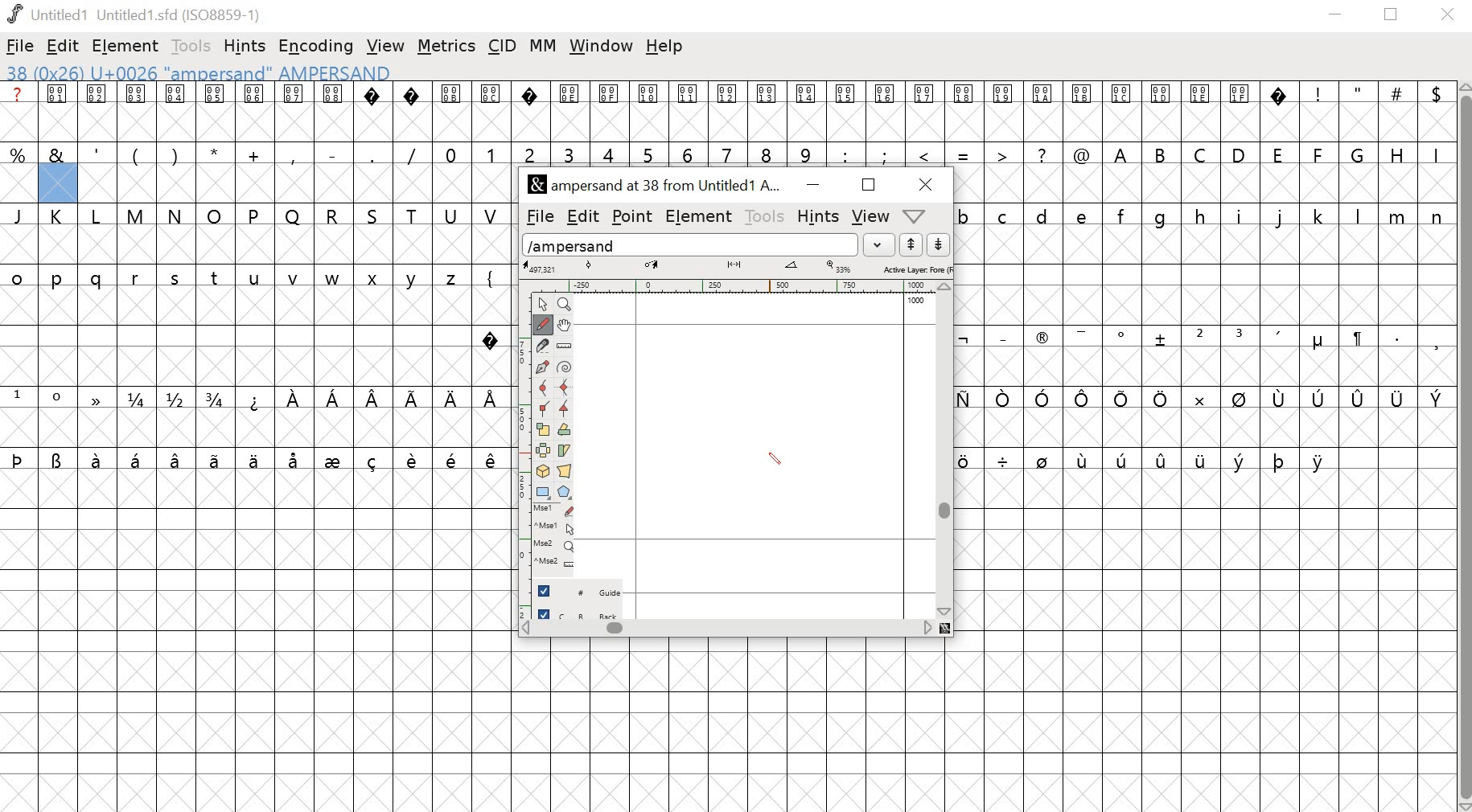  I want to click on element, so click(700, 217).